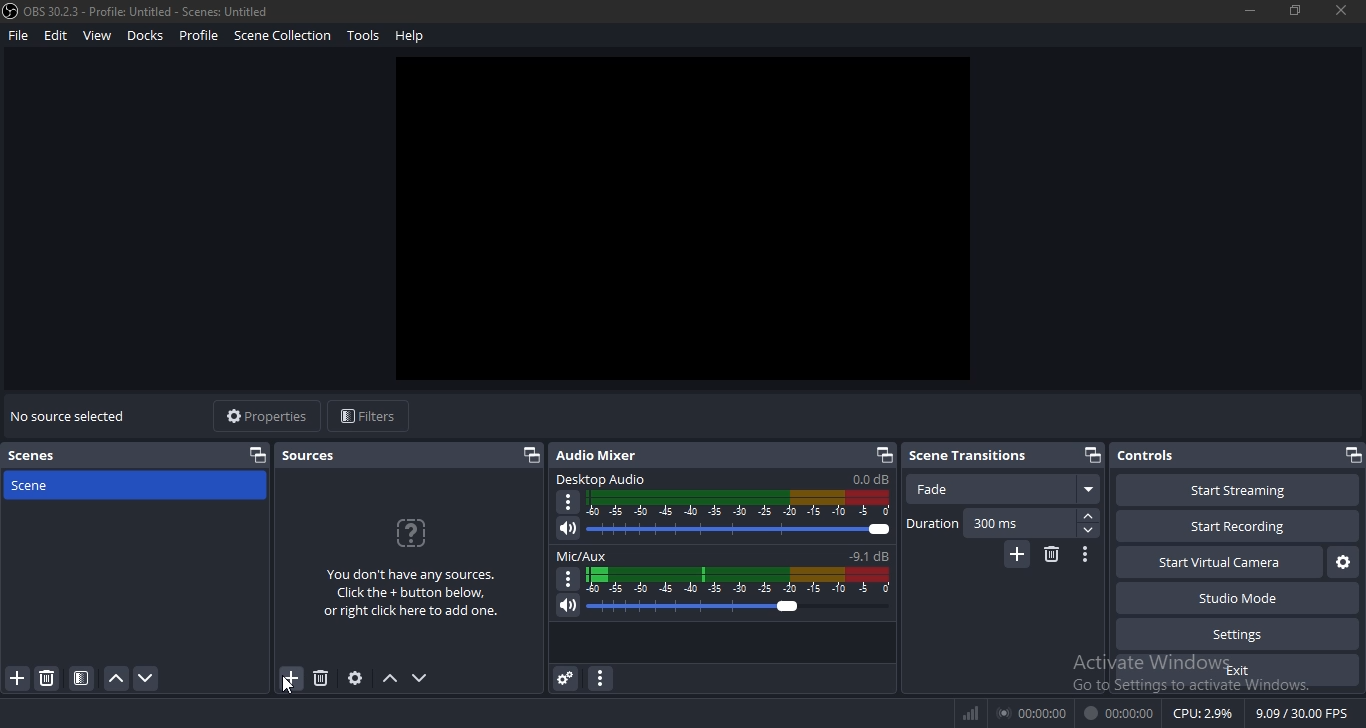 The image size is (1366, 728). What do you see at coordinates (20, 37) in the screenshot?
I see `file` at bounding box center [20, 37].